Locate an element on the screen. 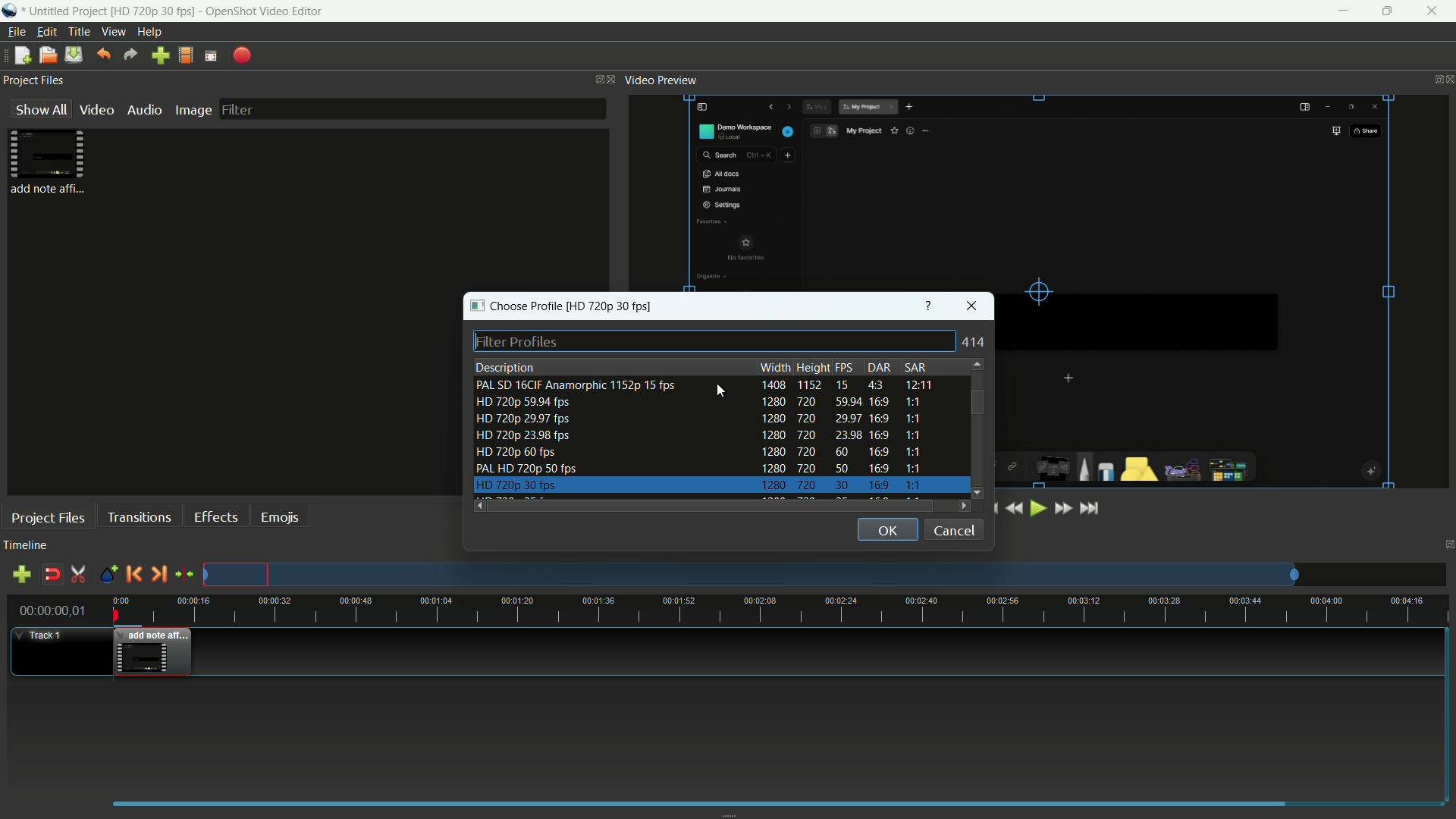 The image size is (1456, 819). dar is located at coordinates (877, 367).